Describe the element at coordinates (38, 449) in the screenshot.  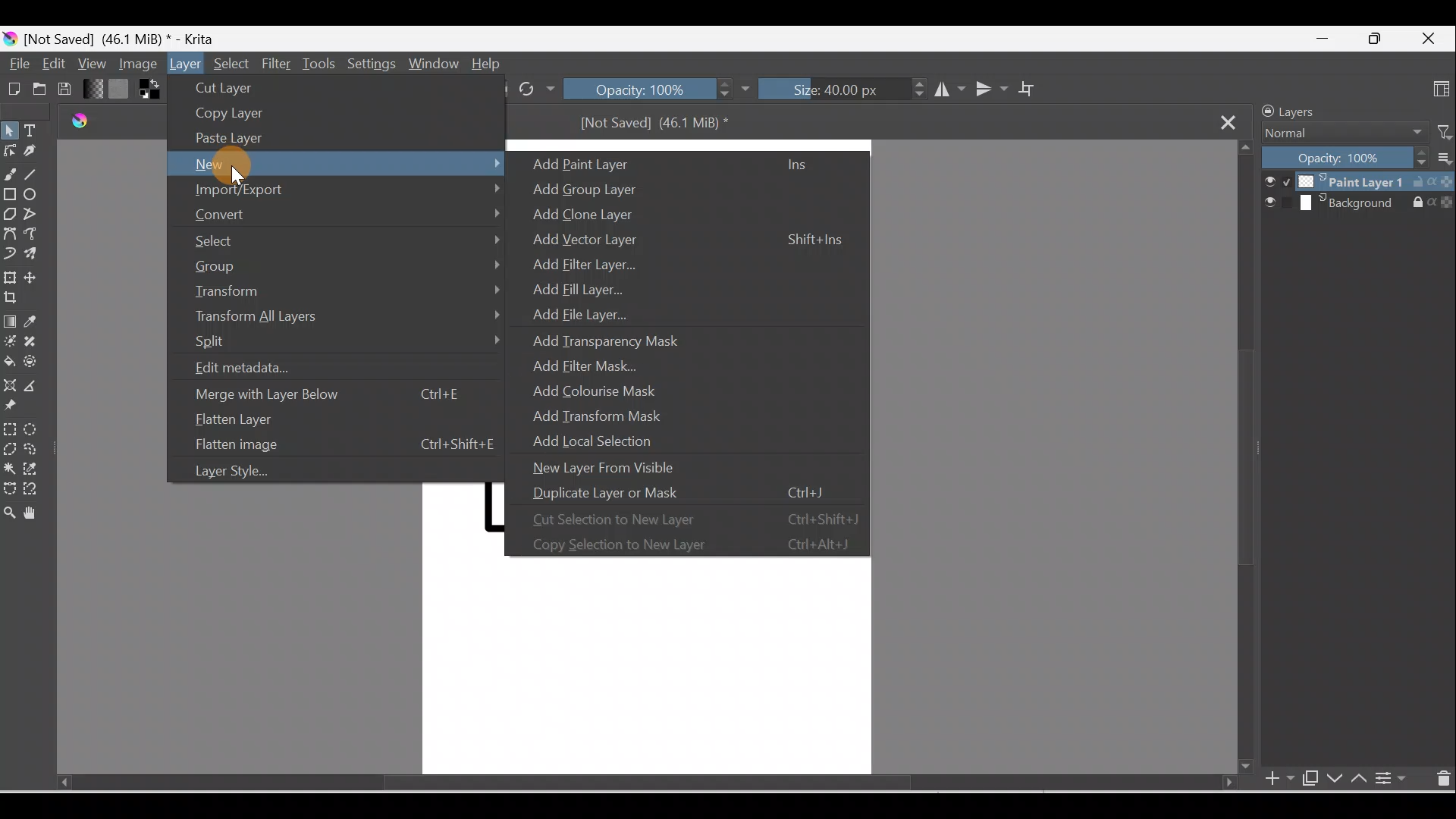
I see `Freehand selection tool` at that location.